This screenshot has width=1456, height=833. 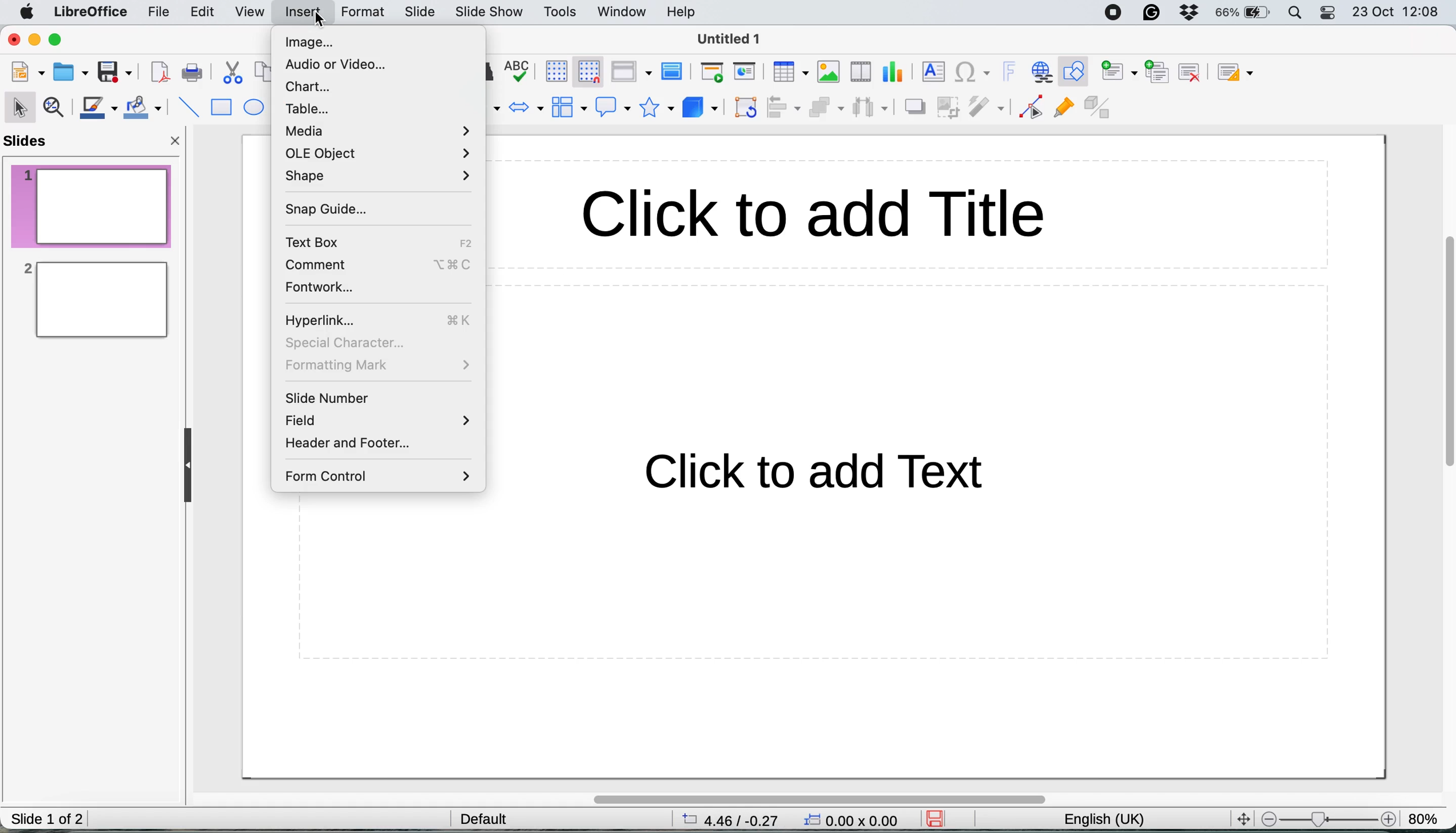 What do you see at coordinates (29, 73) in the screenshot?
I see `new` at bounding box center [29, 73].